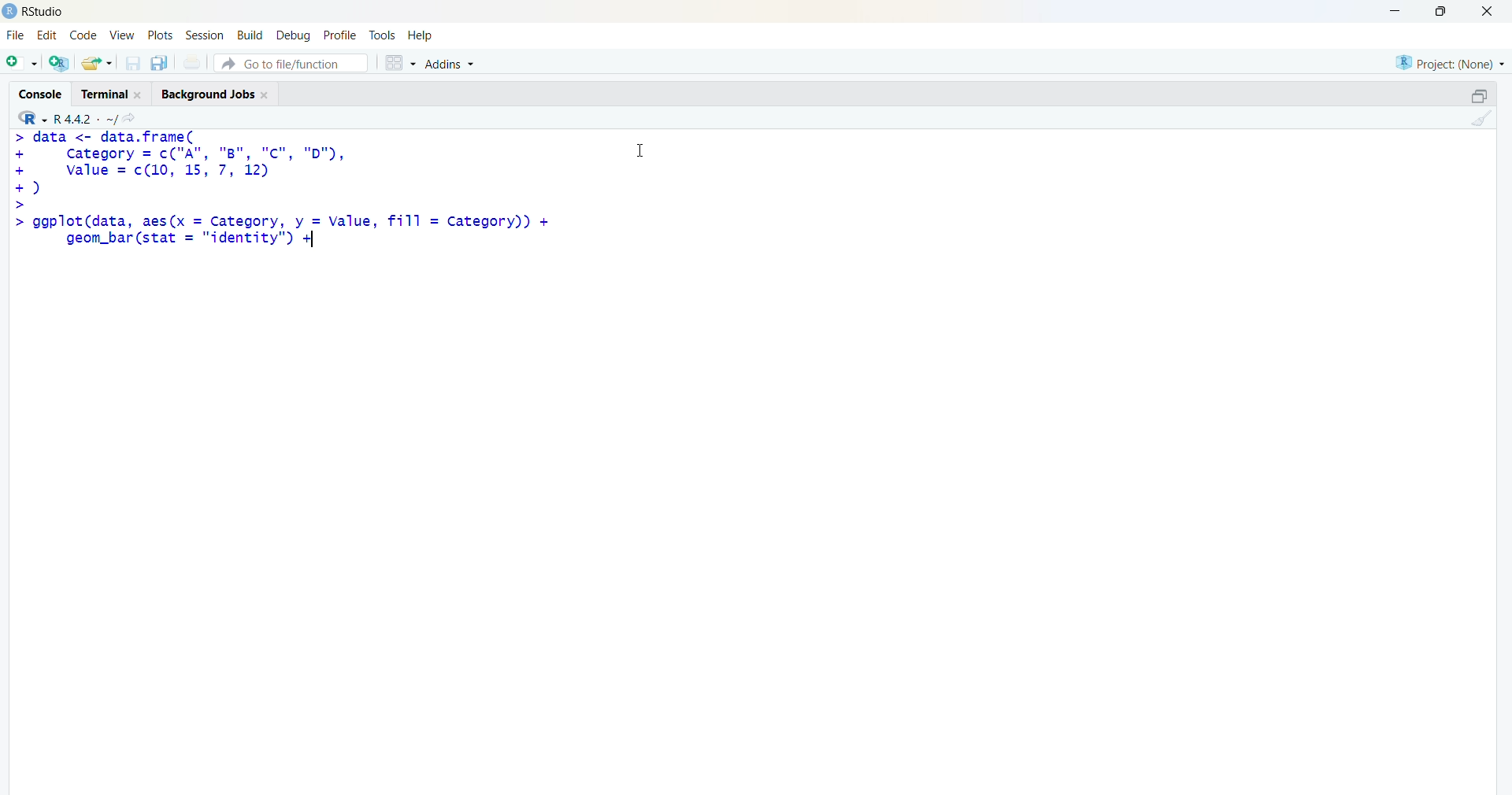 The width and height of the screenshot is (1512, 795). Describe the element at coordinates (44, 92) in the screenshot. I see `Console` at that location.